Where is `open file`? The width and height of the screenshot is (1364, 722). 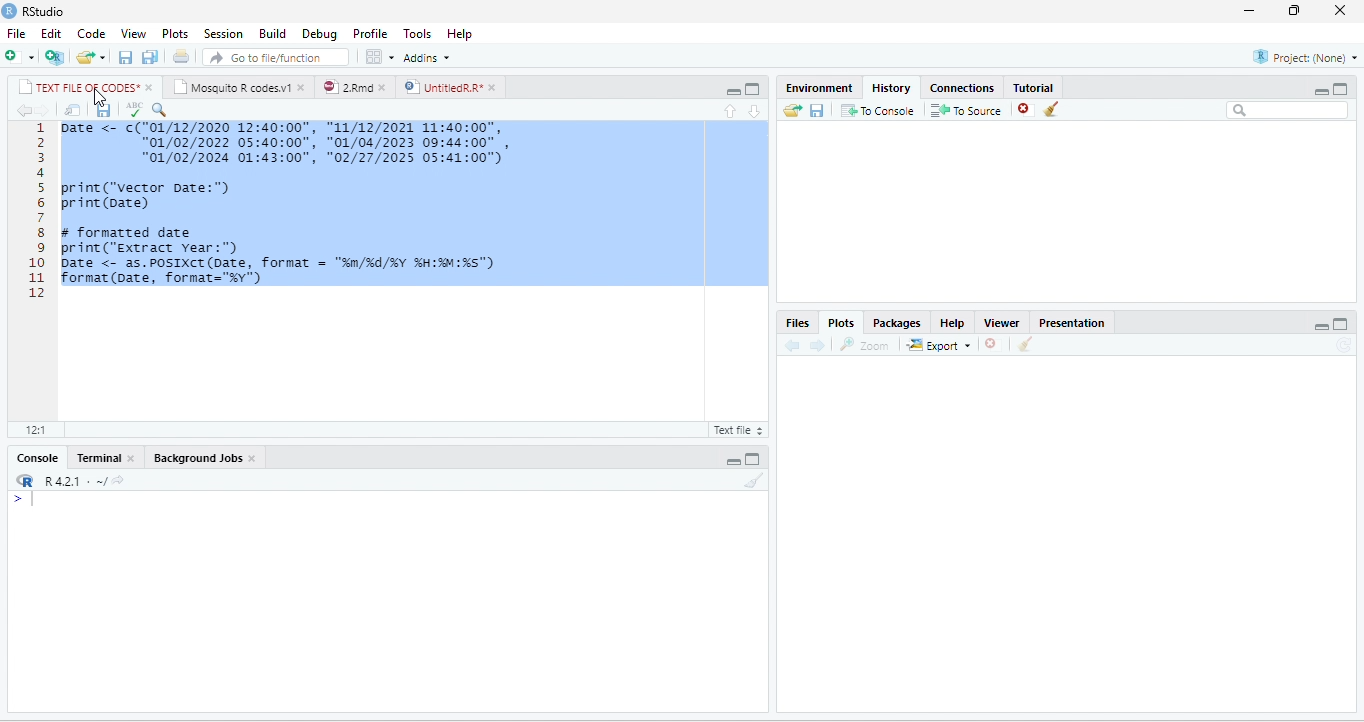
open file is located at coordinates (92, 57).